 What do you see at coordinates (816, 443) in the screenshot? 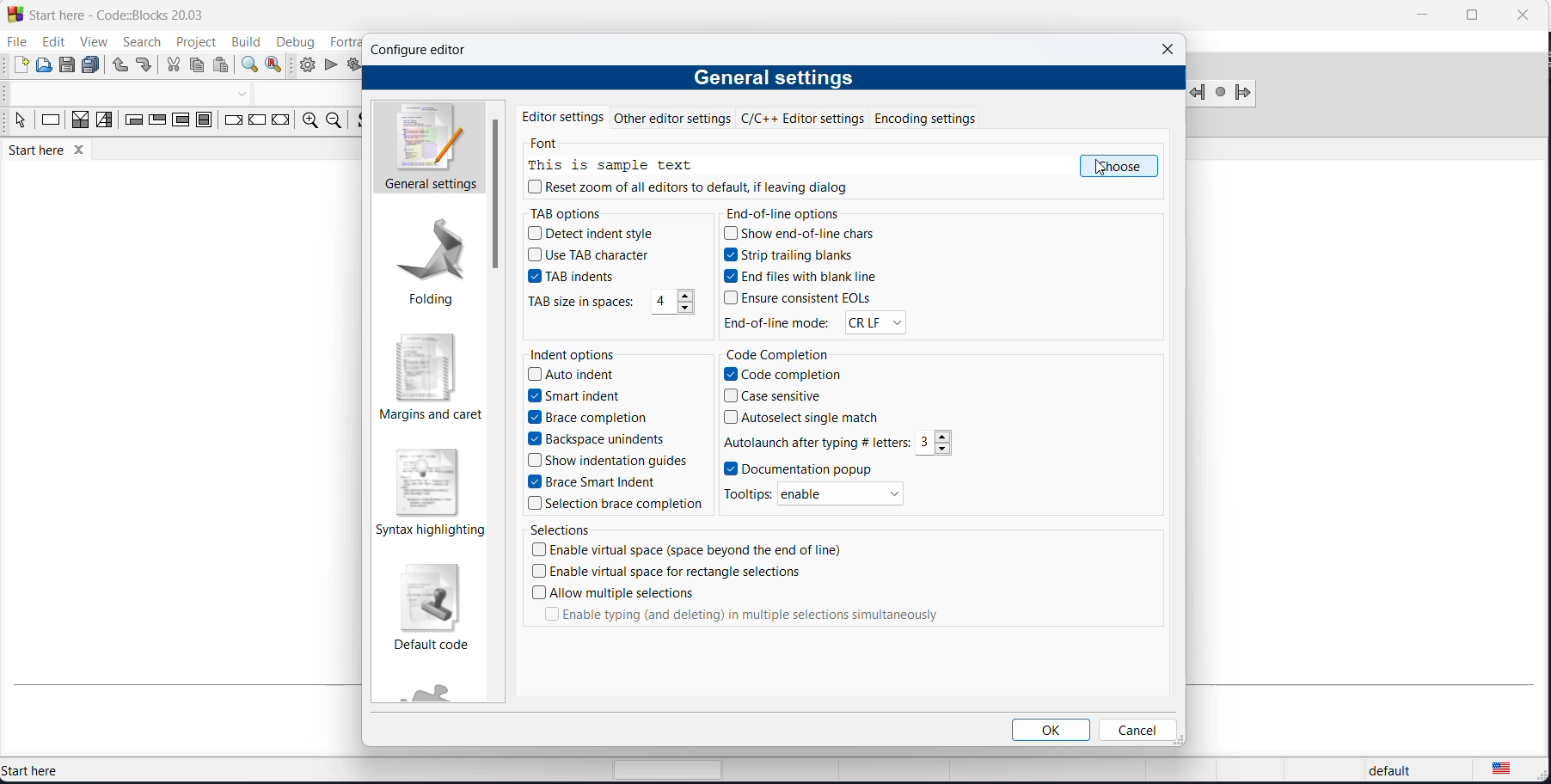
I see `autolaunch values` at bounding box center [816, 443].